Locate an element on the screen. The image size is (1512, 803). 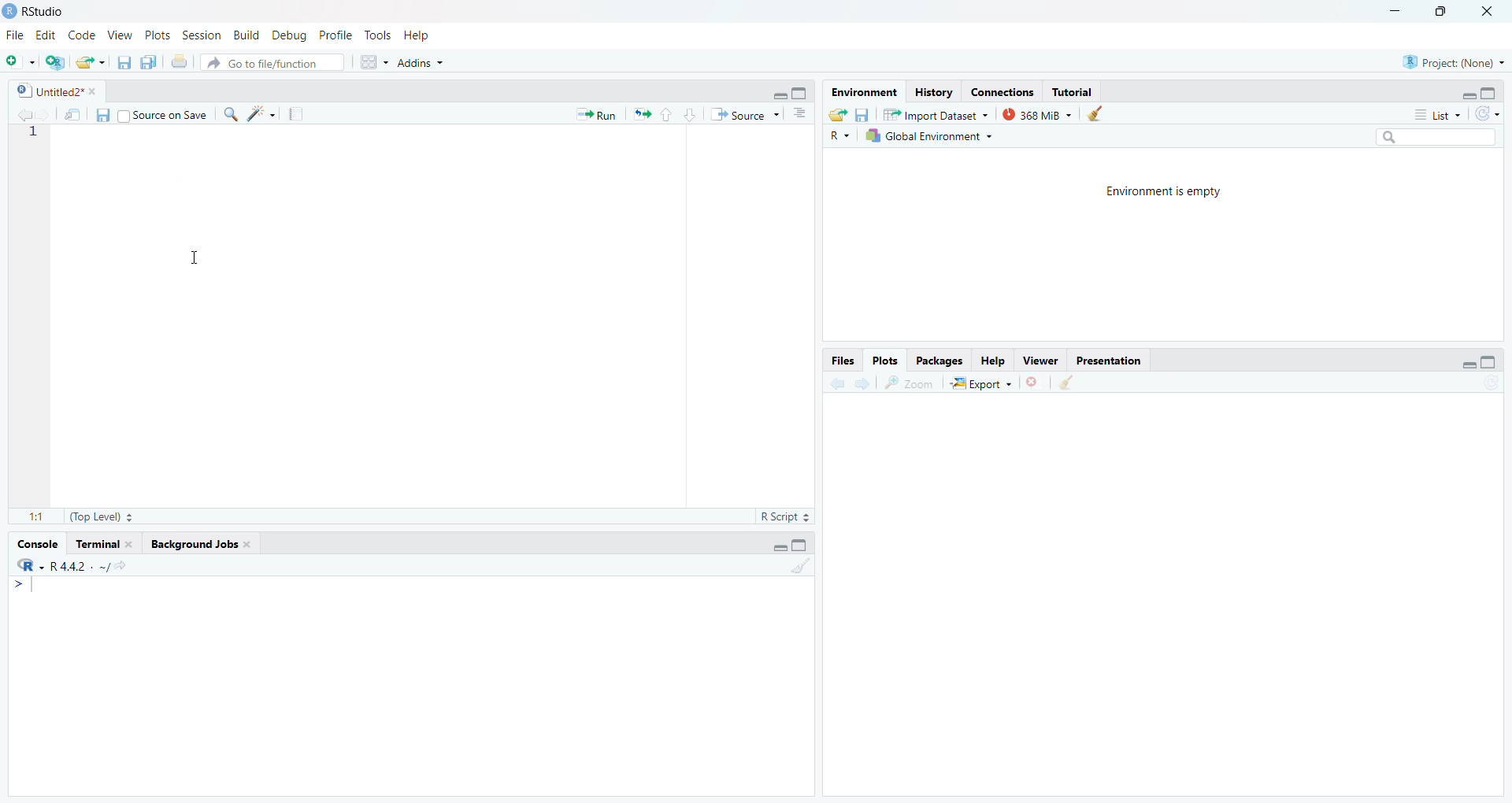
add script is located at coordinates (57, 63).